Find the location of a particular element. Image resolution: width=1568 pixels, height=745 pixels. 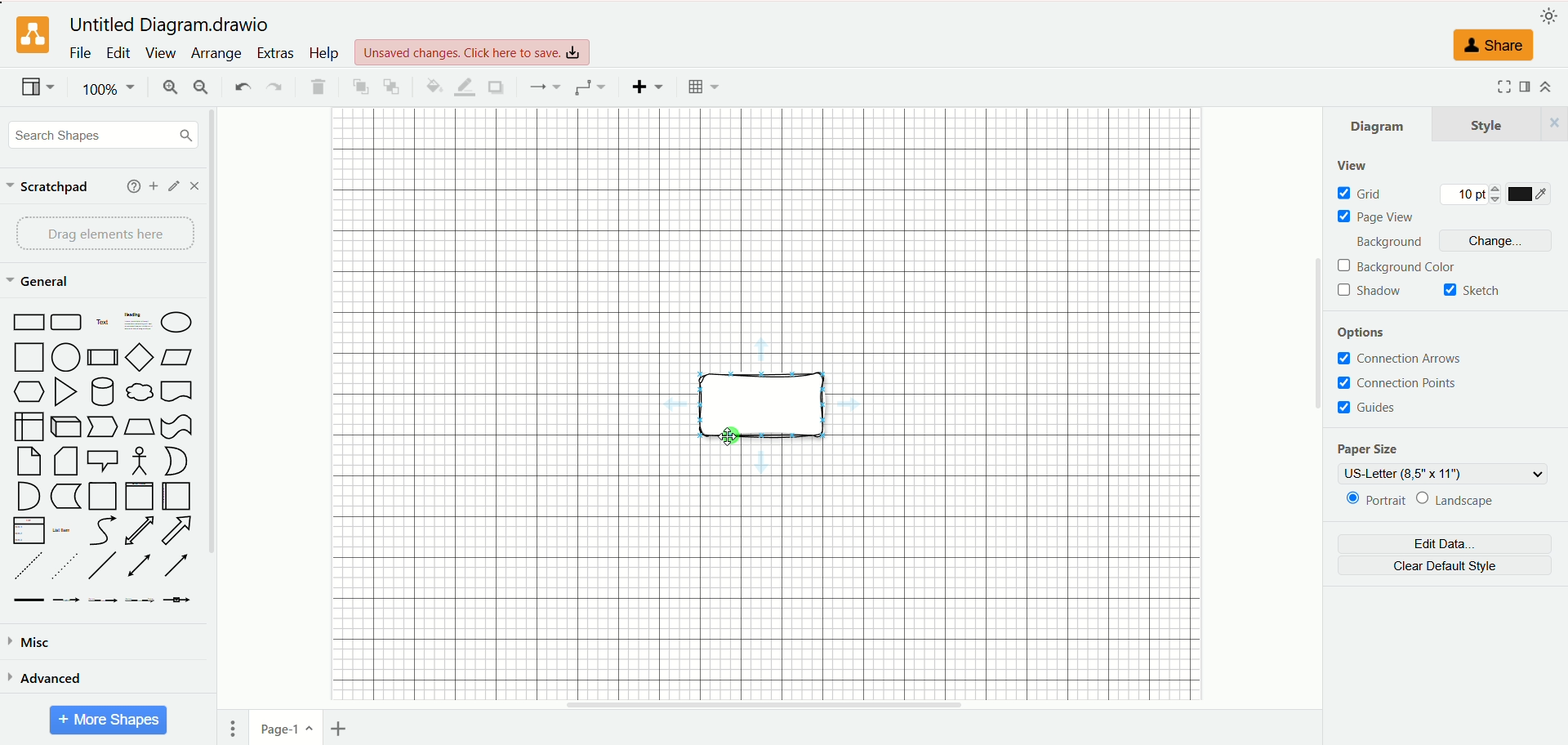

close is located at coordinates (194, 186).